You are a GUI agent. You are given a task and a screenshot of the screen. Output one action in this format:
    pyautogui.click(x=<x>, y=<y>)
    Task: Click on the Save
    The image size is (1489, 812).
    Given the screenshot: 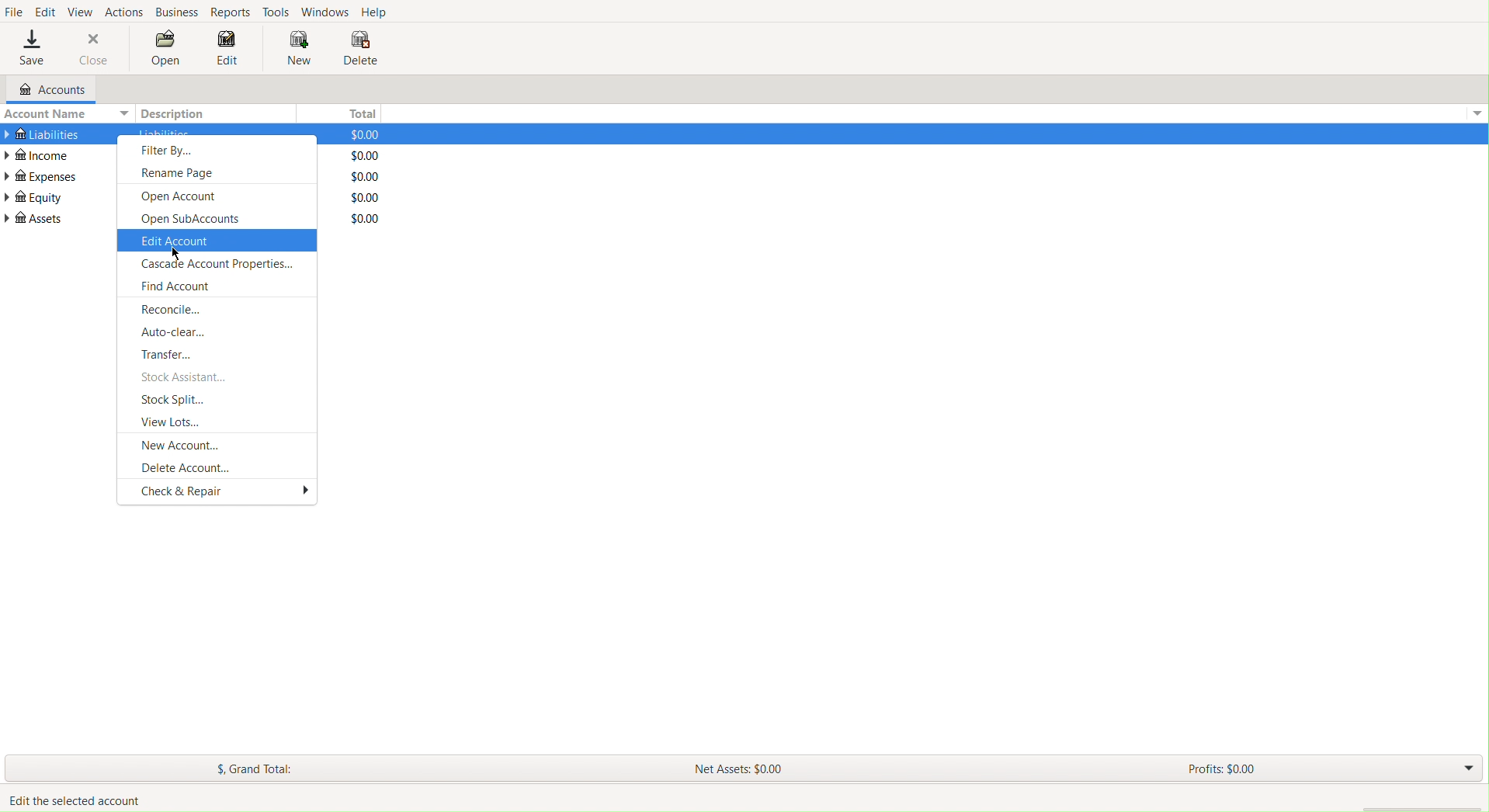 What is the action you would take?
    pyautogui.click(x=32, y=49)
    